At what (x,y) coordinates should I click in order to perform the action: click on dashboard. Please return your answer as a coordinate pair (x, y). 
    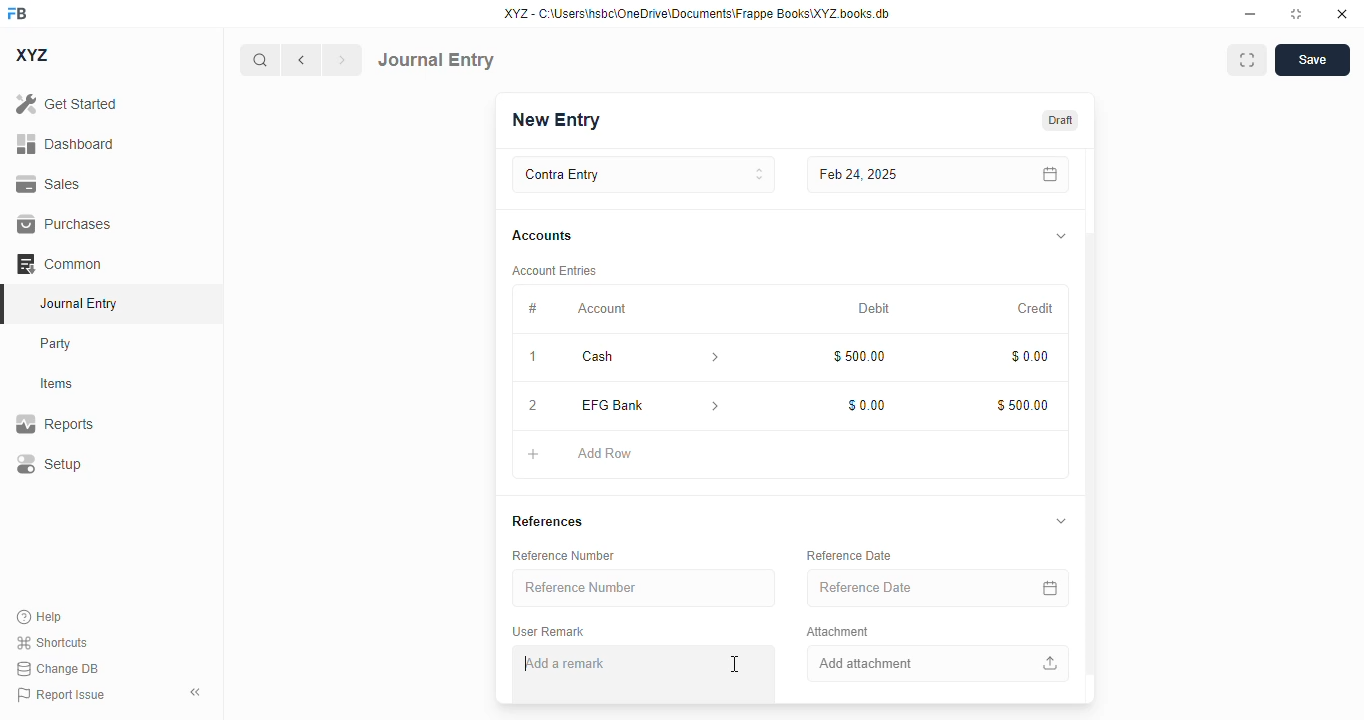
    Looking at the image, I should click on (65, 143).